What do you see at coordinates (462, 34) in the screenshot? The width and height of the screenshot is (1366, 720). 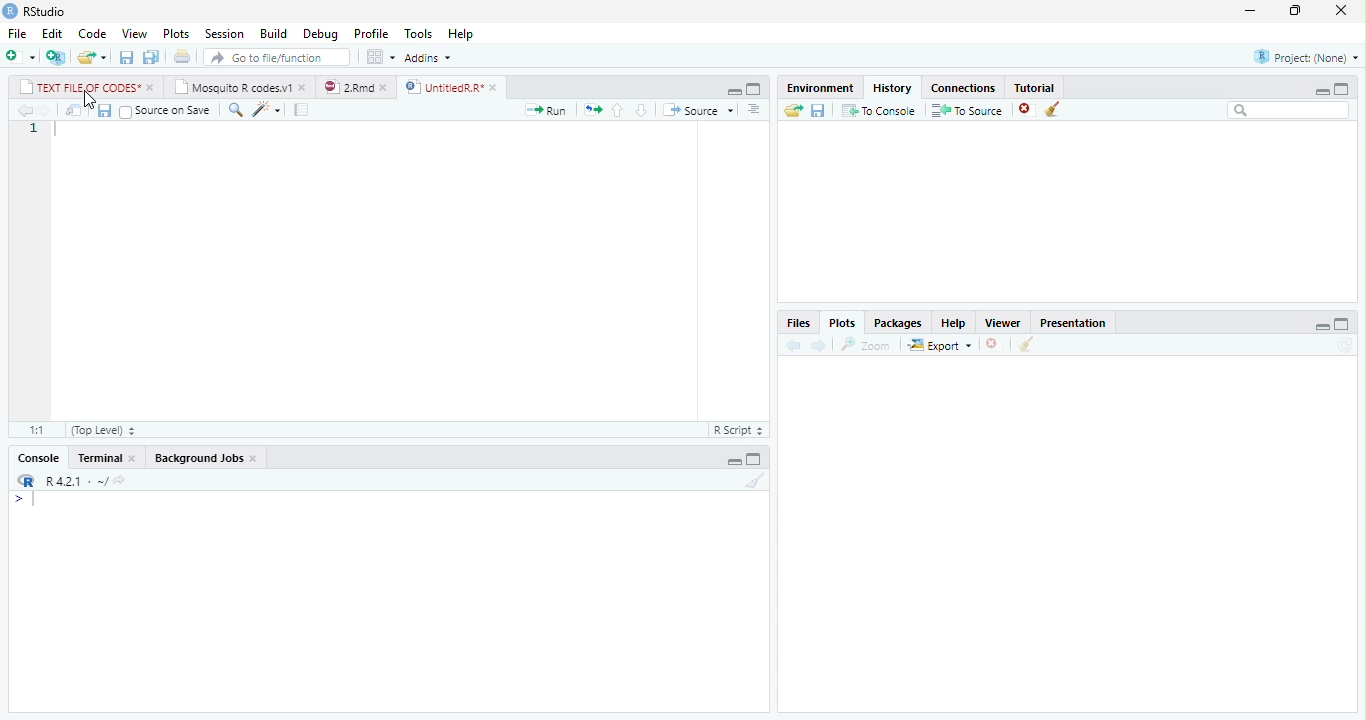 I see `Help` at bounding box center [462, 34].